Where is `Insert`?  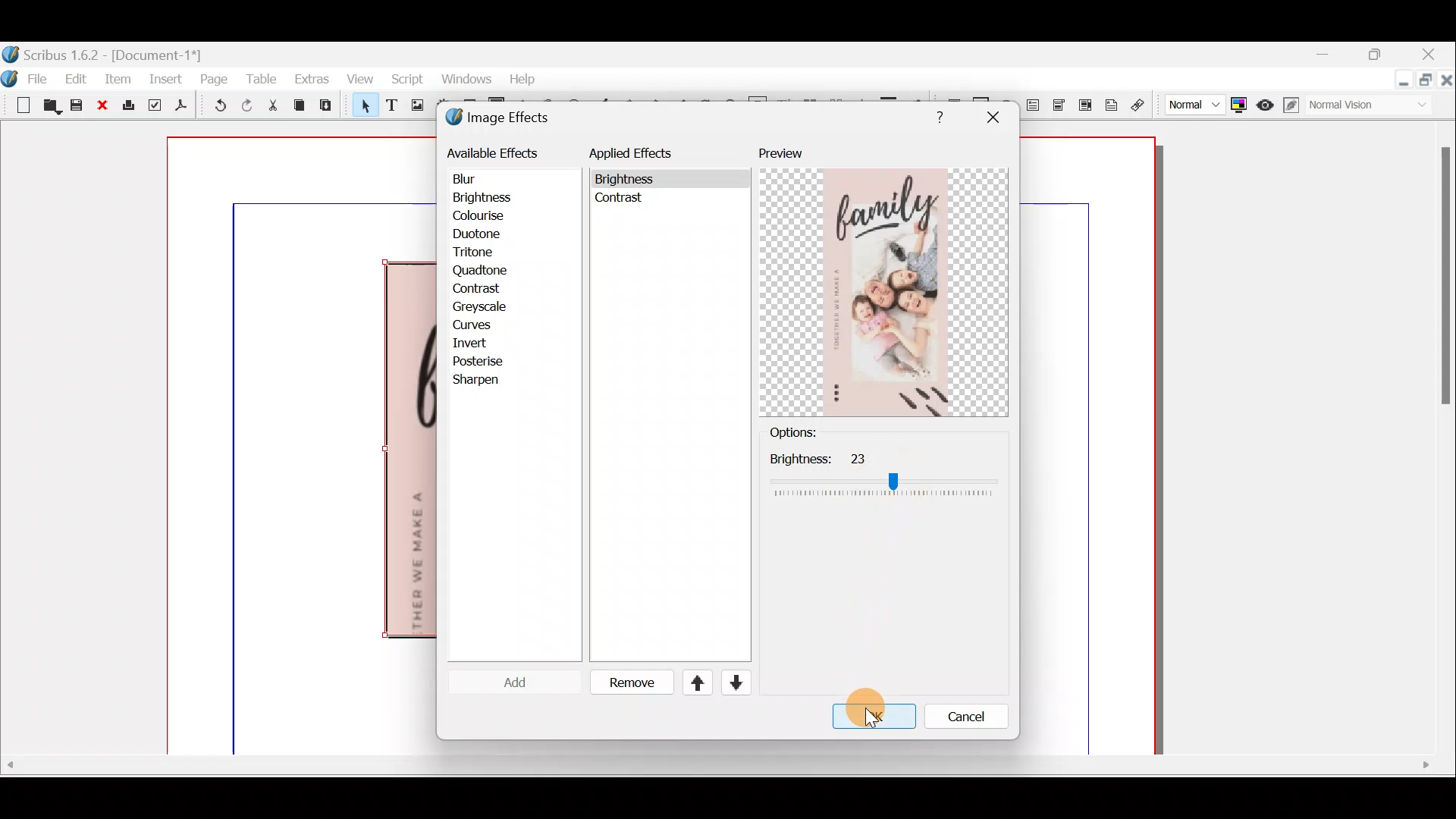
Insert is located at coordinates (167, 78).